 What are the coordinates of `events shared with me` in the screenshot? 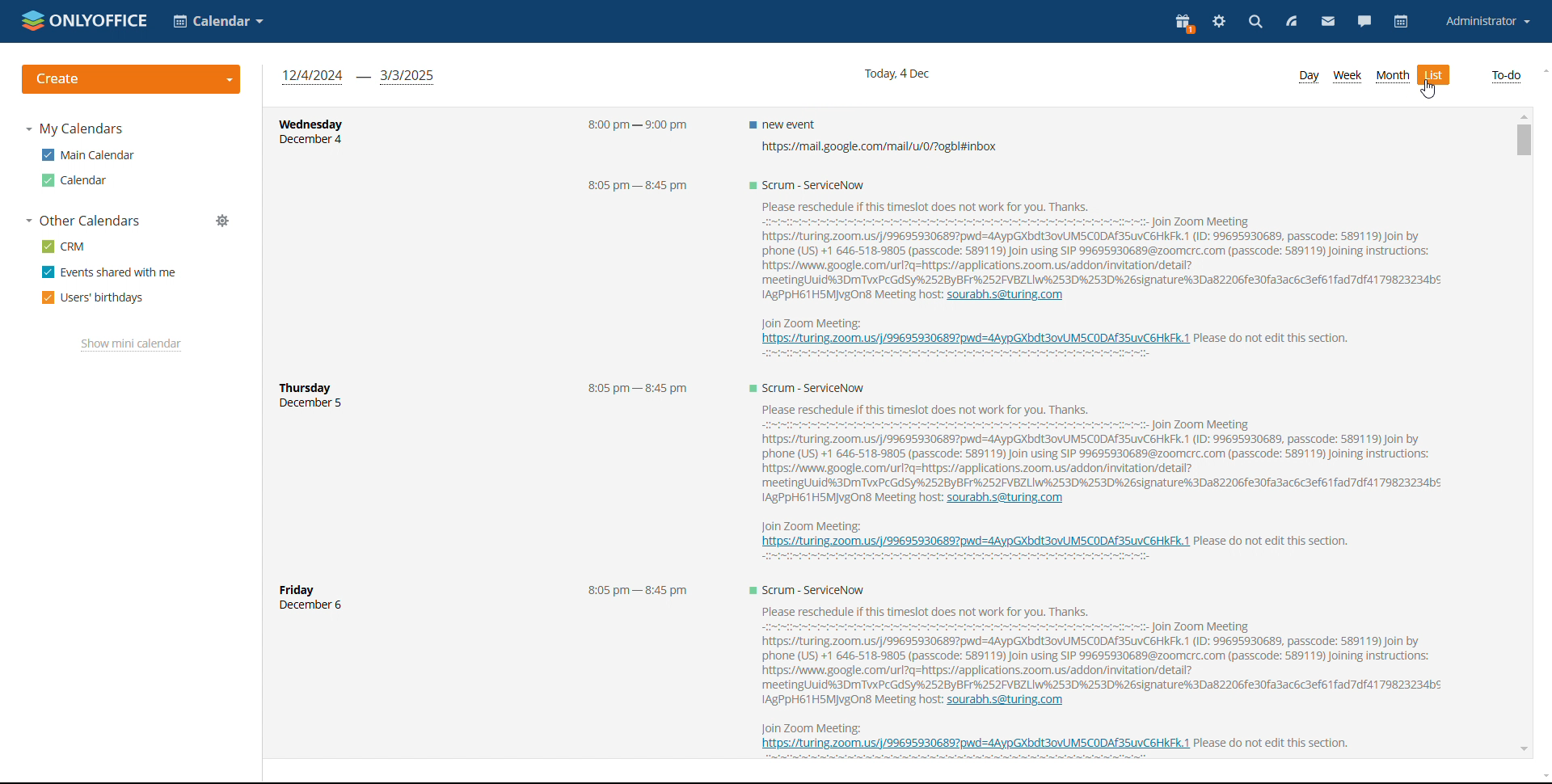 It's located at (109, 272).